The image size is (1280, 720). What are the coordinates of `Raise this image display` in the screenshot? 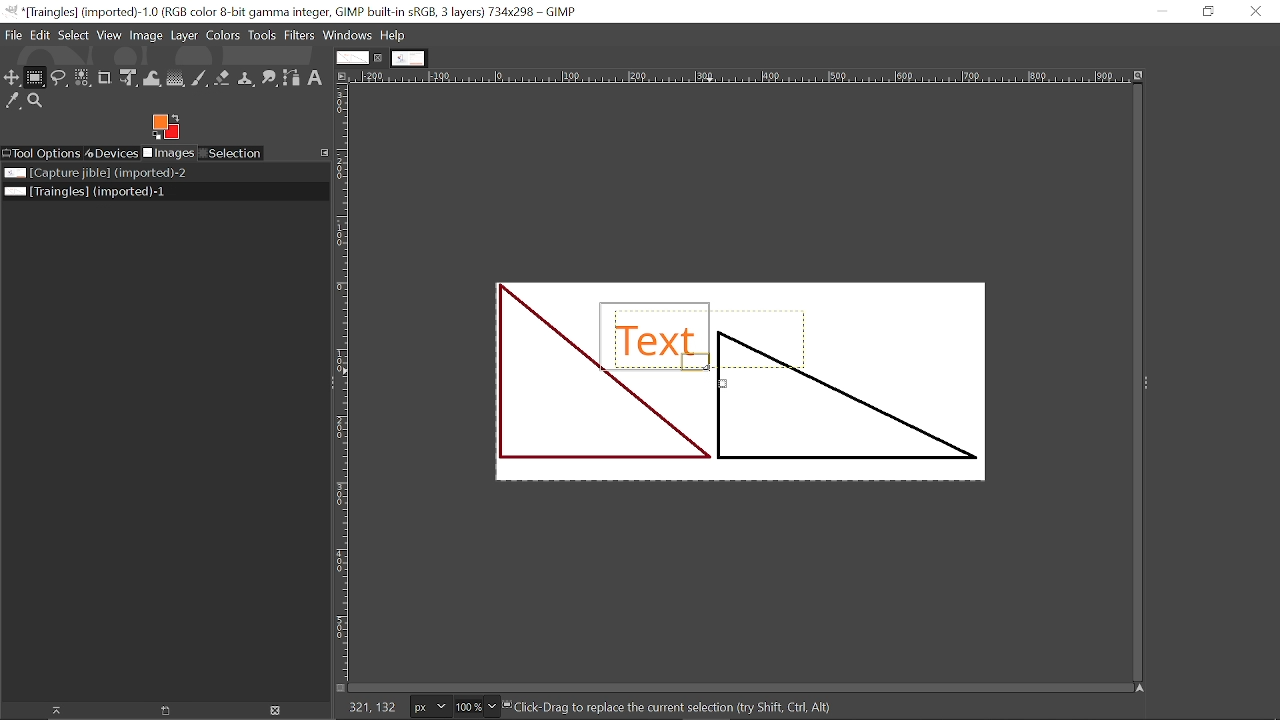 It's located at (54, 710).